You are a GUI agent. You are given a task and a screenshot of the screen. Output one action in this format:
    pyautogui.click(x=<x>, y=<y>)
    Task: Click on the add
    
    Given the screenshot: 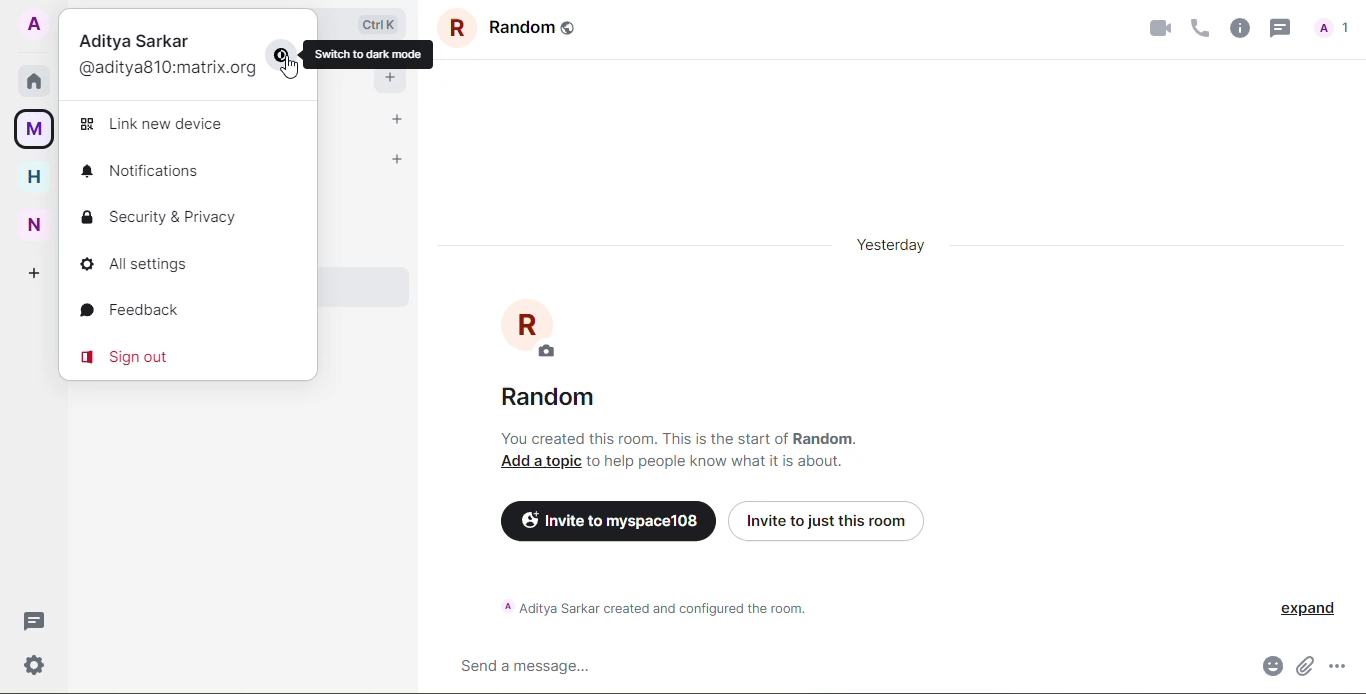 What is the action you would take?
    pyautogui.click(x=390, y=76)
    